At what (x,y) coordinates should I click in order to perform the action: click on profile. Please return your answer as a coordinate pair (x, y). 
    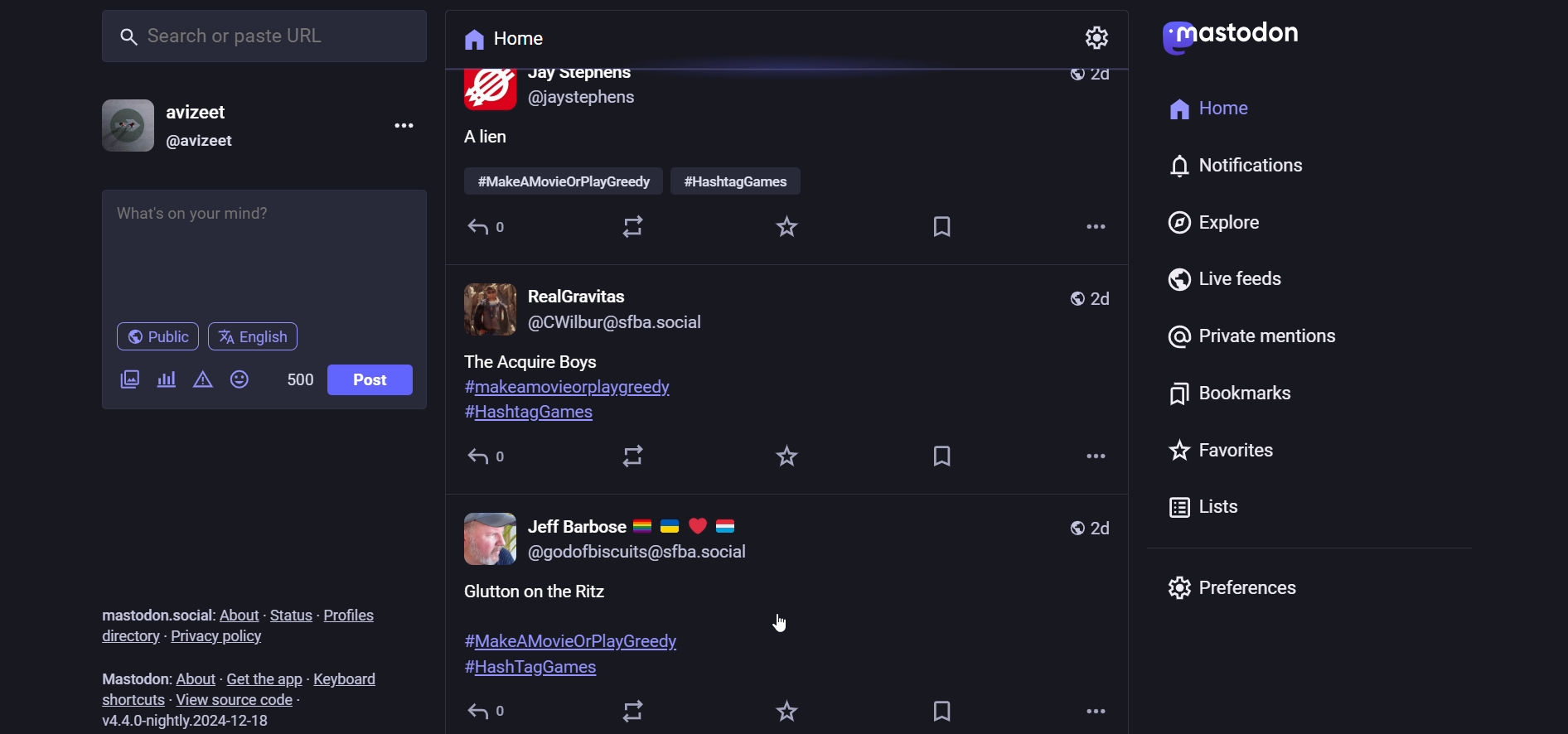
    Looking at the image, I should click on (593, 308).